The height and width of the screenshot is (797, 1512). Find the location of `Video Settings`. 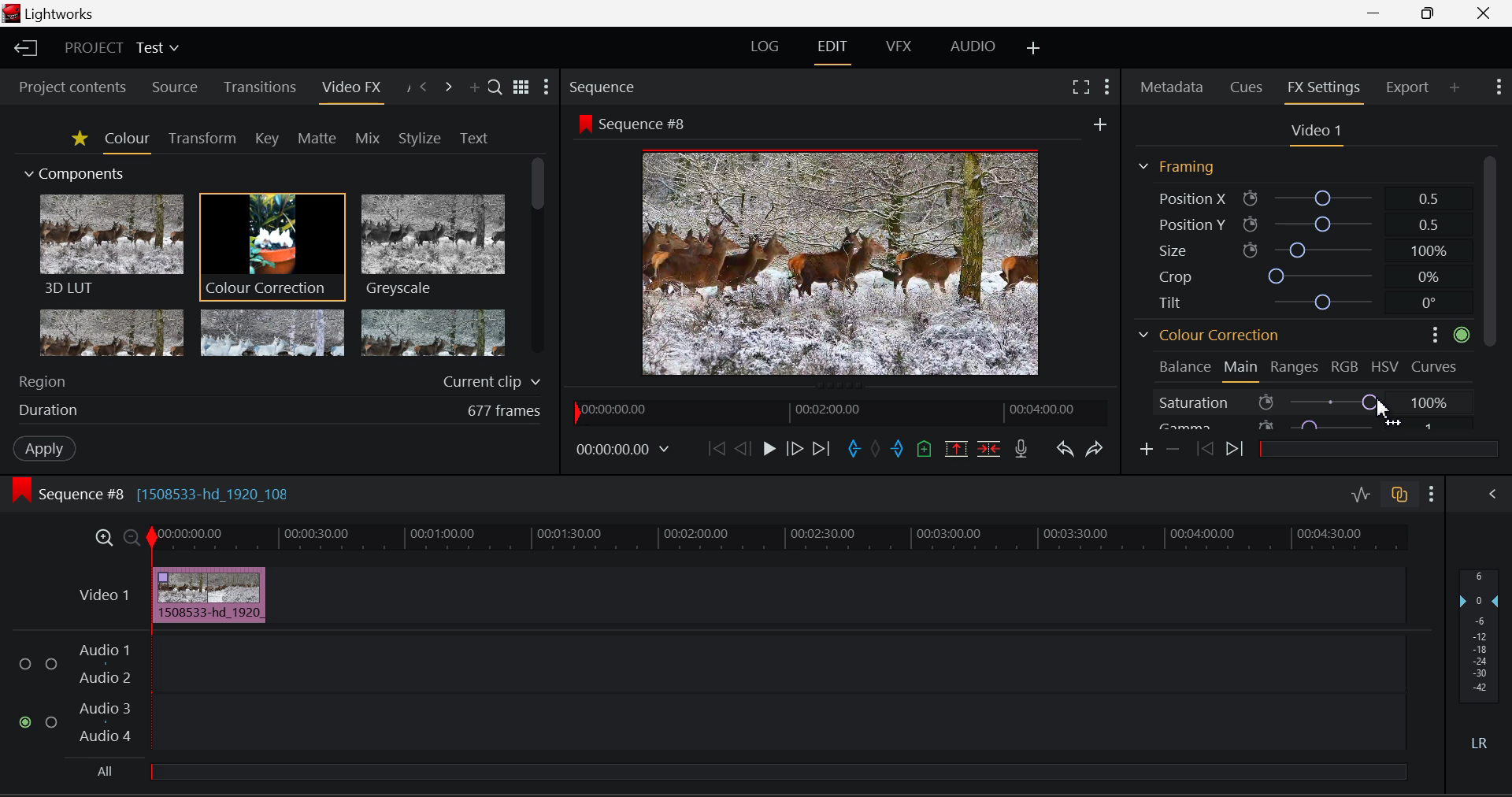

Video Settings is located at coordinates (1314, 132).